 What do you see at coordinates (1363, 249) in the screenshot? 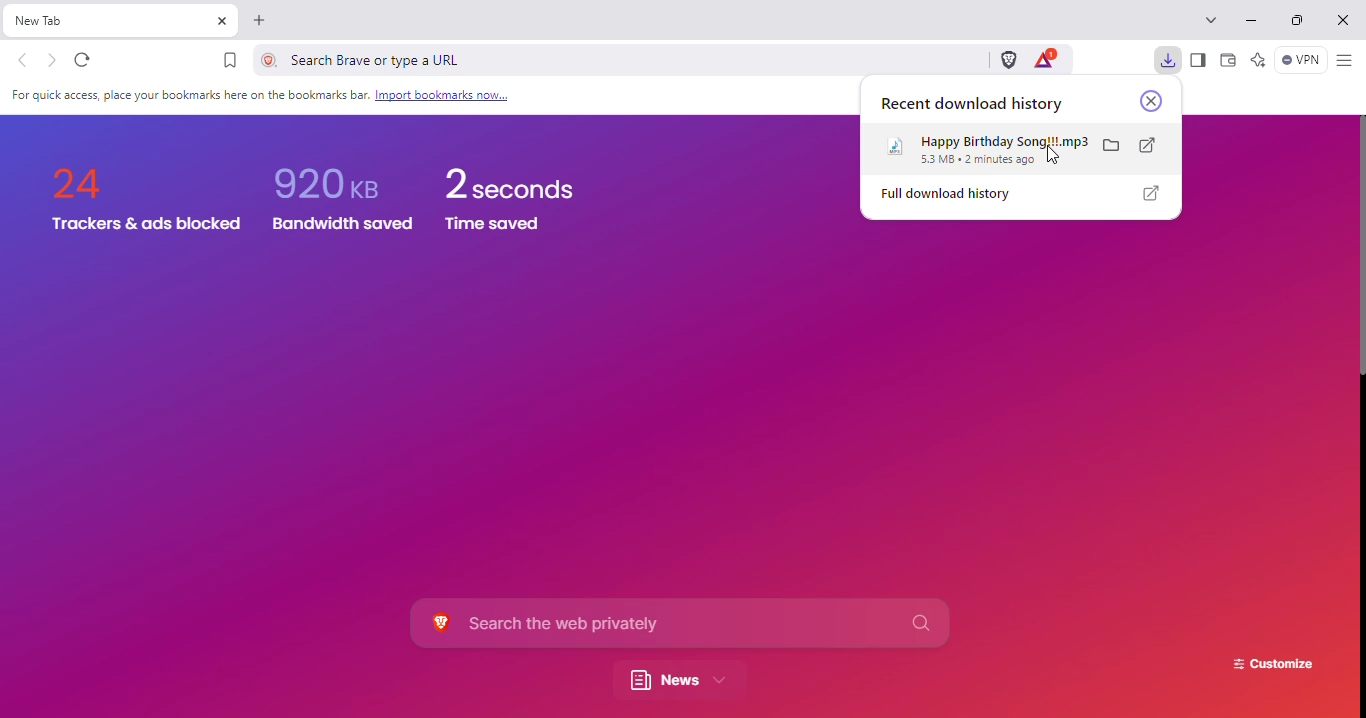
I see `vertical scroll bar` at bounding box center [1363, 249].